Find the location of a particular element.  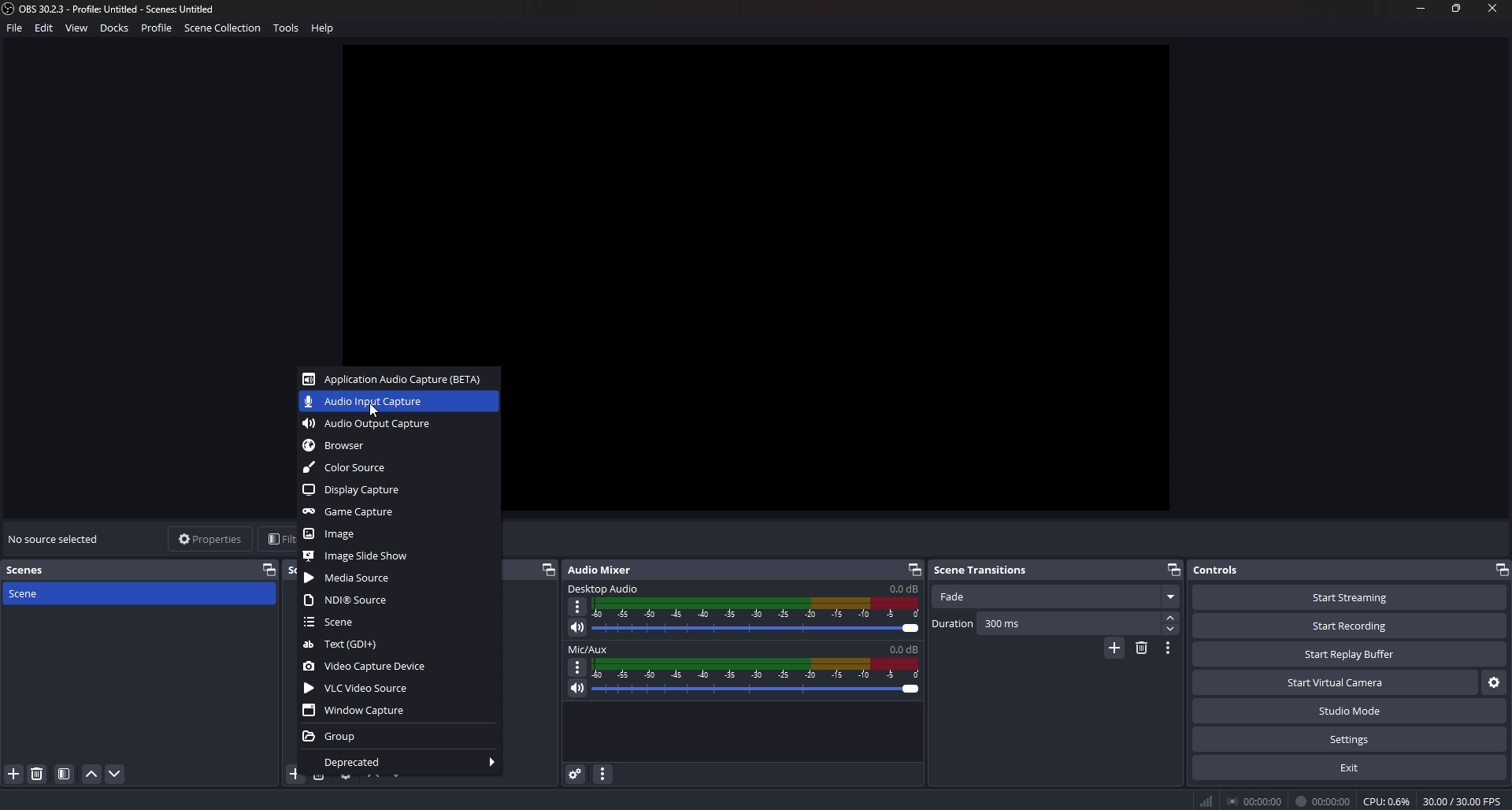

video capture device is located at coordinates (401, 667).